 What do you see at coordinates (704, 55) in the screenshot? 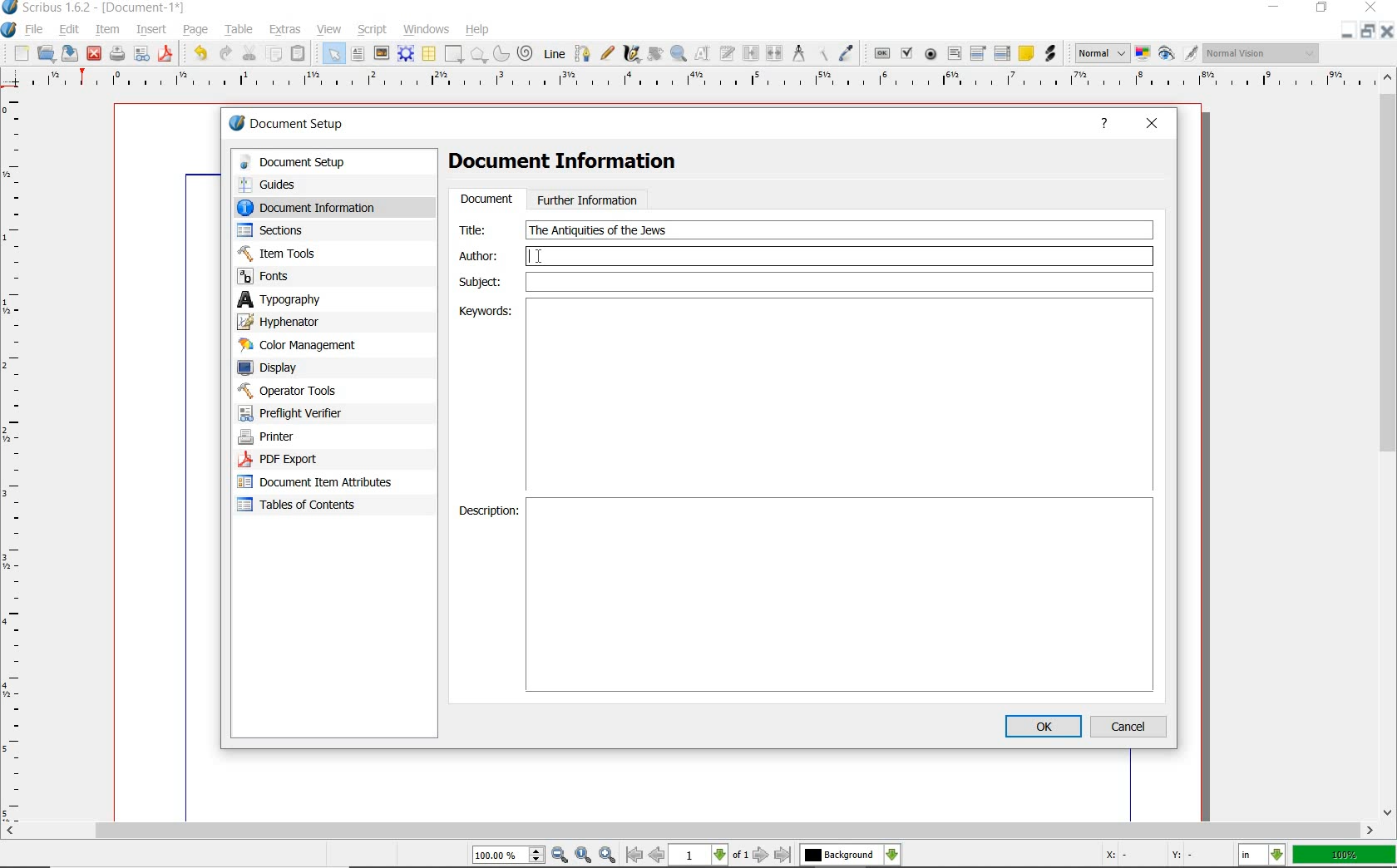
I see `edit contents of frame` at bounding box center [704, 55].